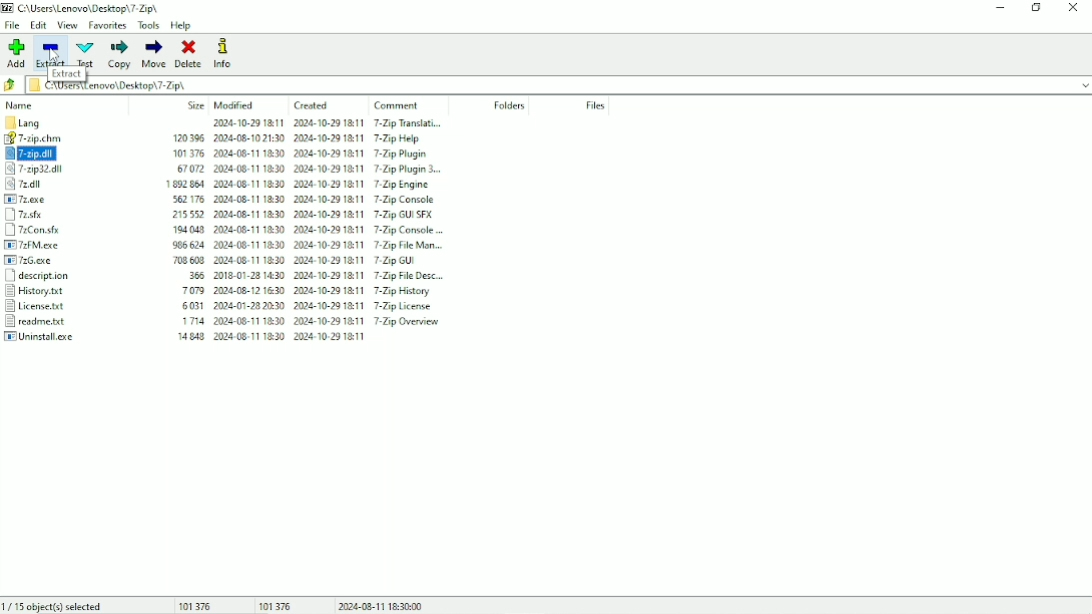 The width and height of the screenshot is (1092, 614). What do you see at coordinates (86, 54) in the screenshot?
I see `Test` at bounding box center [86, 54].